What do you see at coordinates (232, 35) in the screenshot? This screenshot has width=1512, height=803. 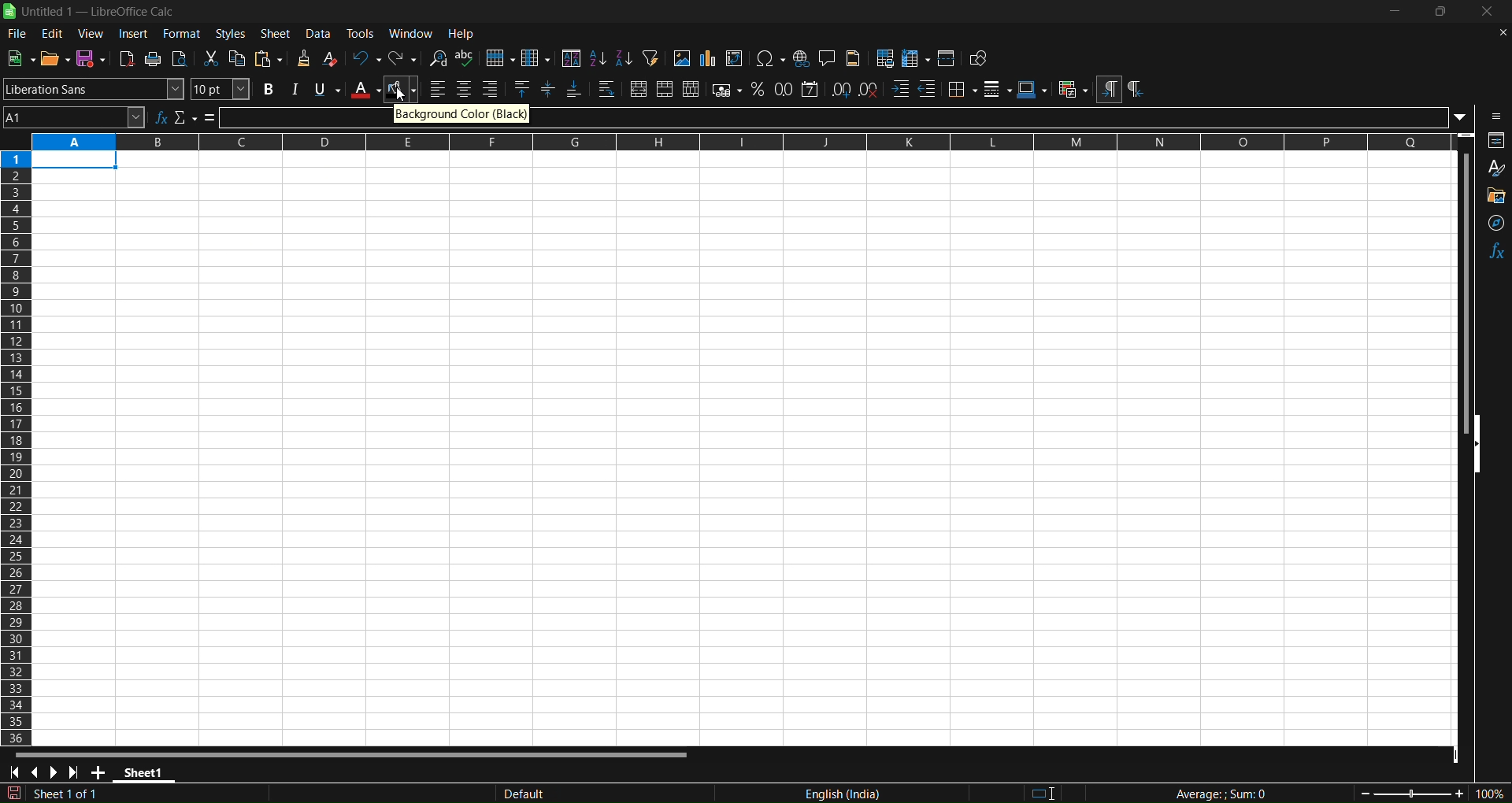 I see `styles` at bounding box center [232, 35].